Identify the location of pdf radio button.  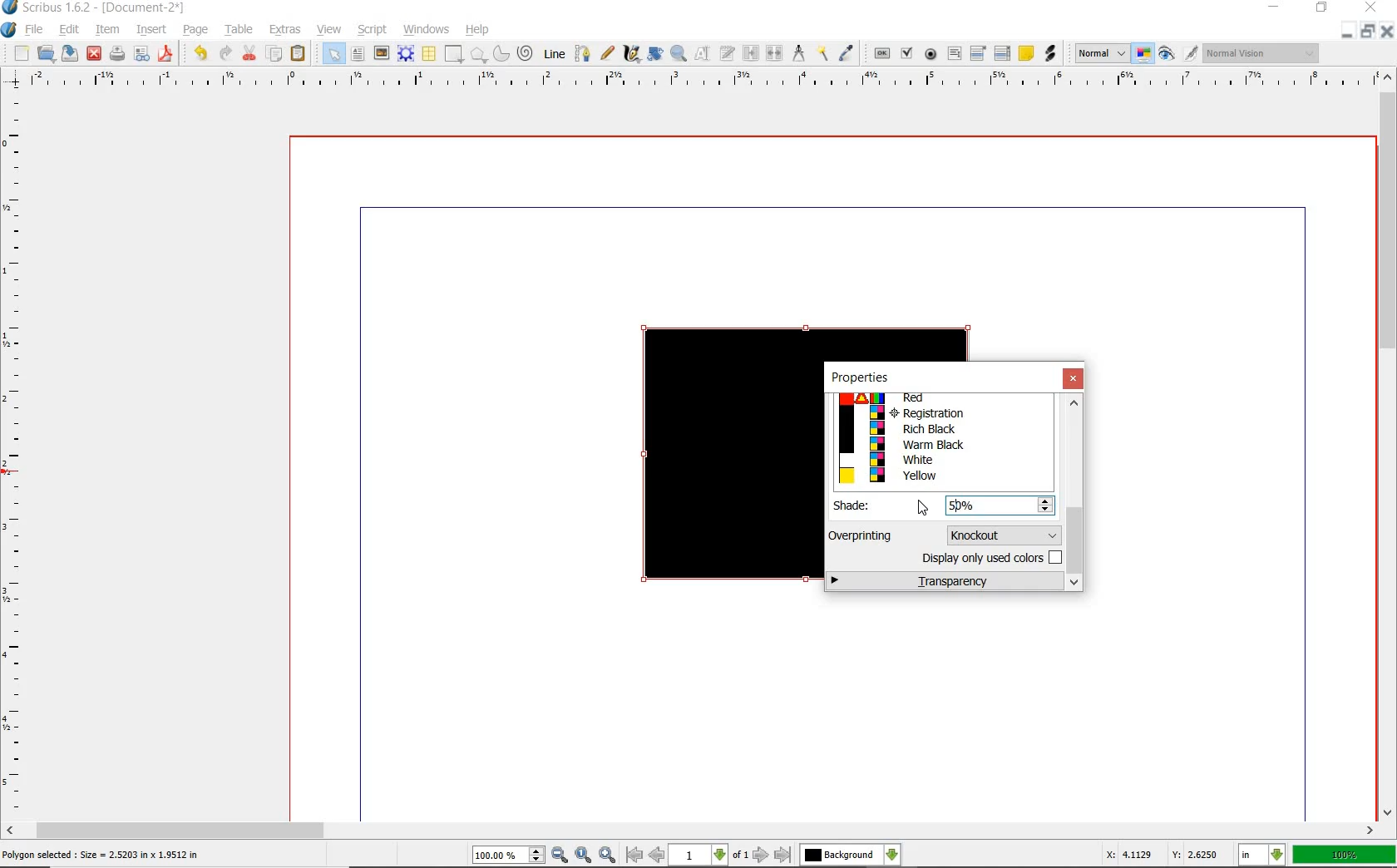
(927, 54).